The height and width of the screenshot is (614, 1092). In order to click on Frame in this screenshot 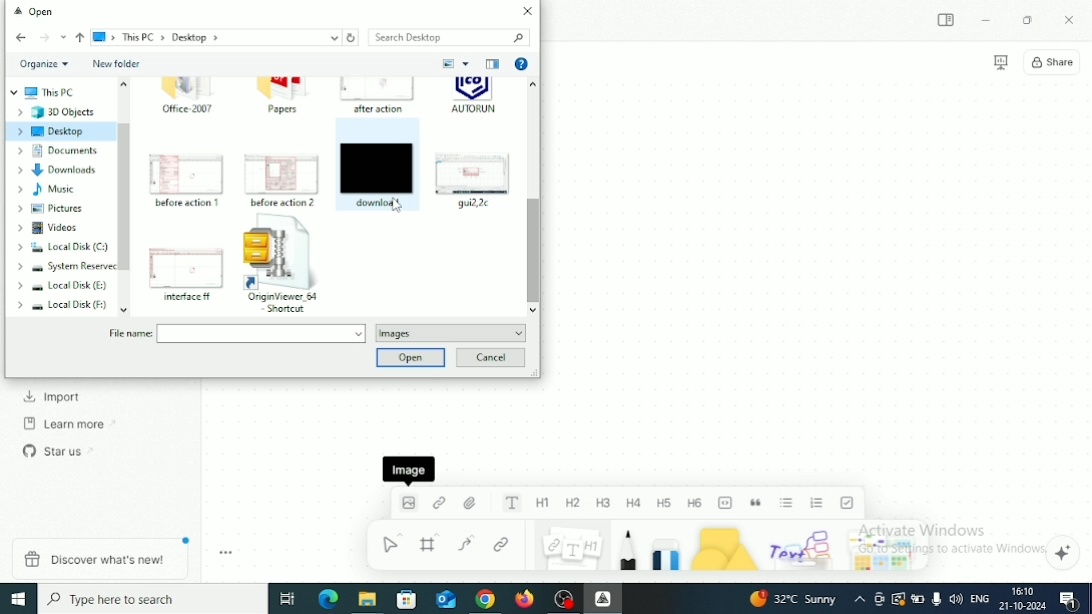, I will do `click(432, 543)`.